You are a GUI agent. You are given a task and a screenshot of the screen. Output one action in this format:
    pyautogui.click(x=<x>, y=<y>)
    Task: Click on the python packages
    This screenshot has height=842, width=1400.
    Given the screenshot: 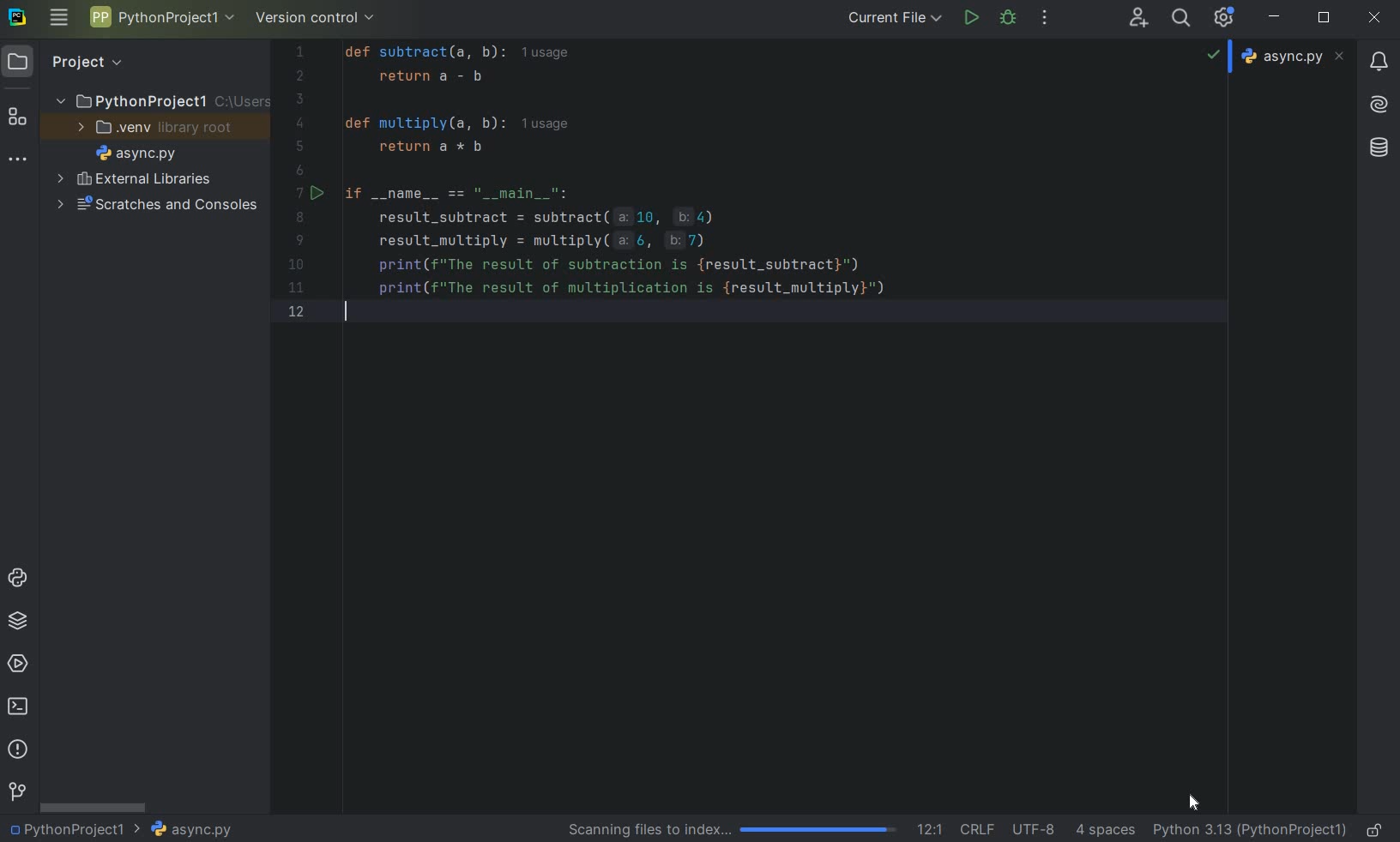 What is the action you would take?
    pyautogui.click(x=16, y=622)
    